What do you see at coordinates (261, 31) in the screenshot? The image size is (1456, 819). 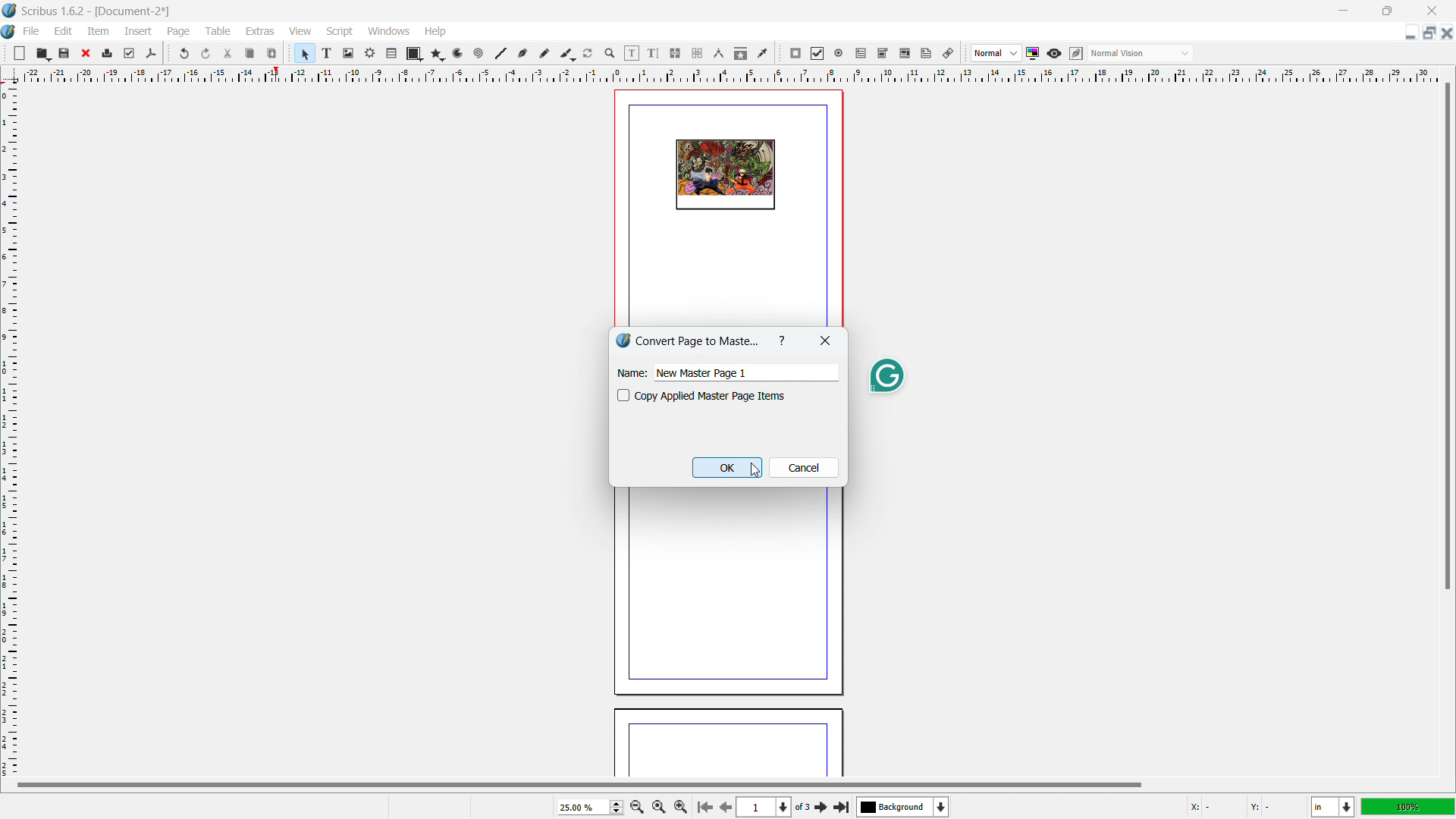 I see `extras` at bounding box center [261, 31].